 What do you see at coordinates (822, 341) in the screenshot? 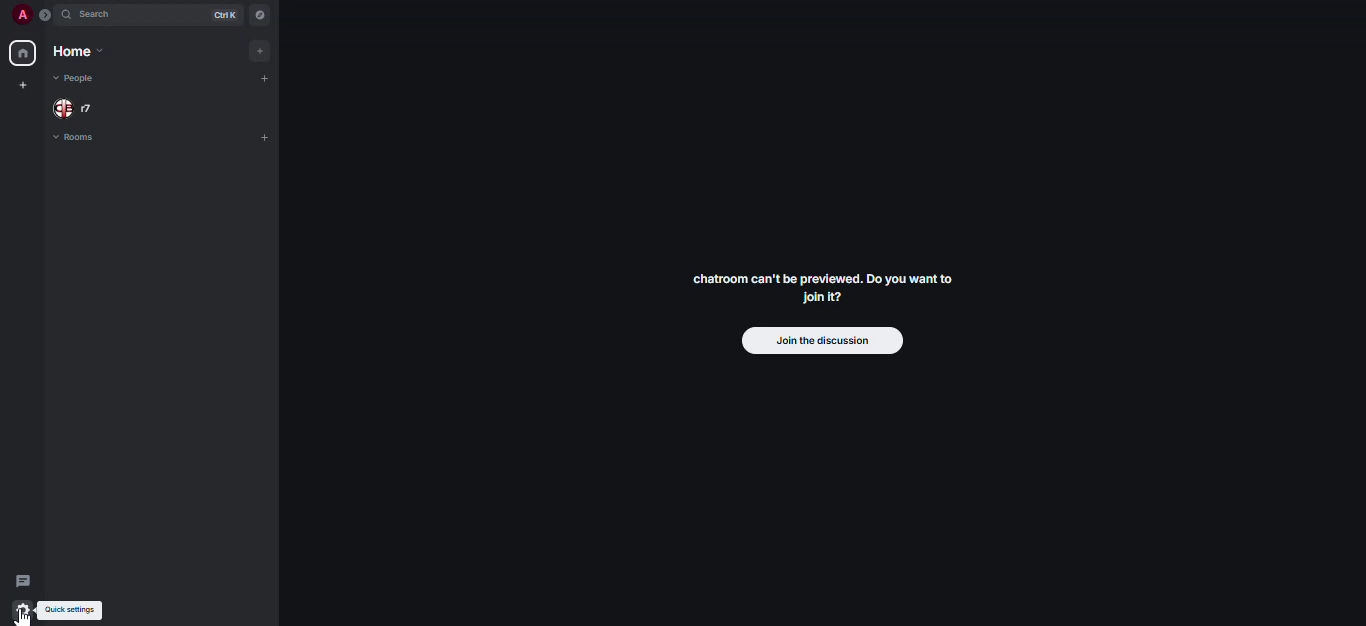
I see `join the discussion` at bounding box center [822, 341].